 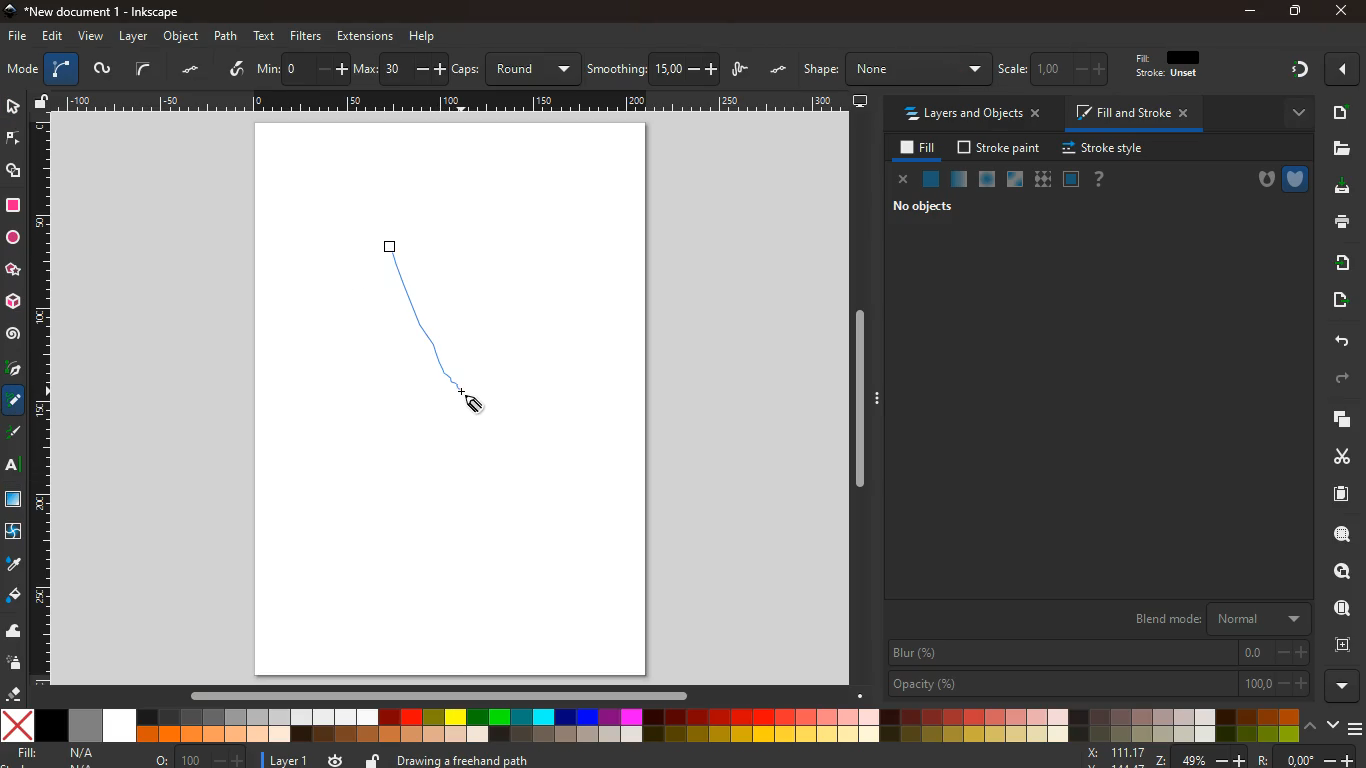 I want to click on Drawing a freehand path, so click(x=467, y=758).